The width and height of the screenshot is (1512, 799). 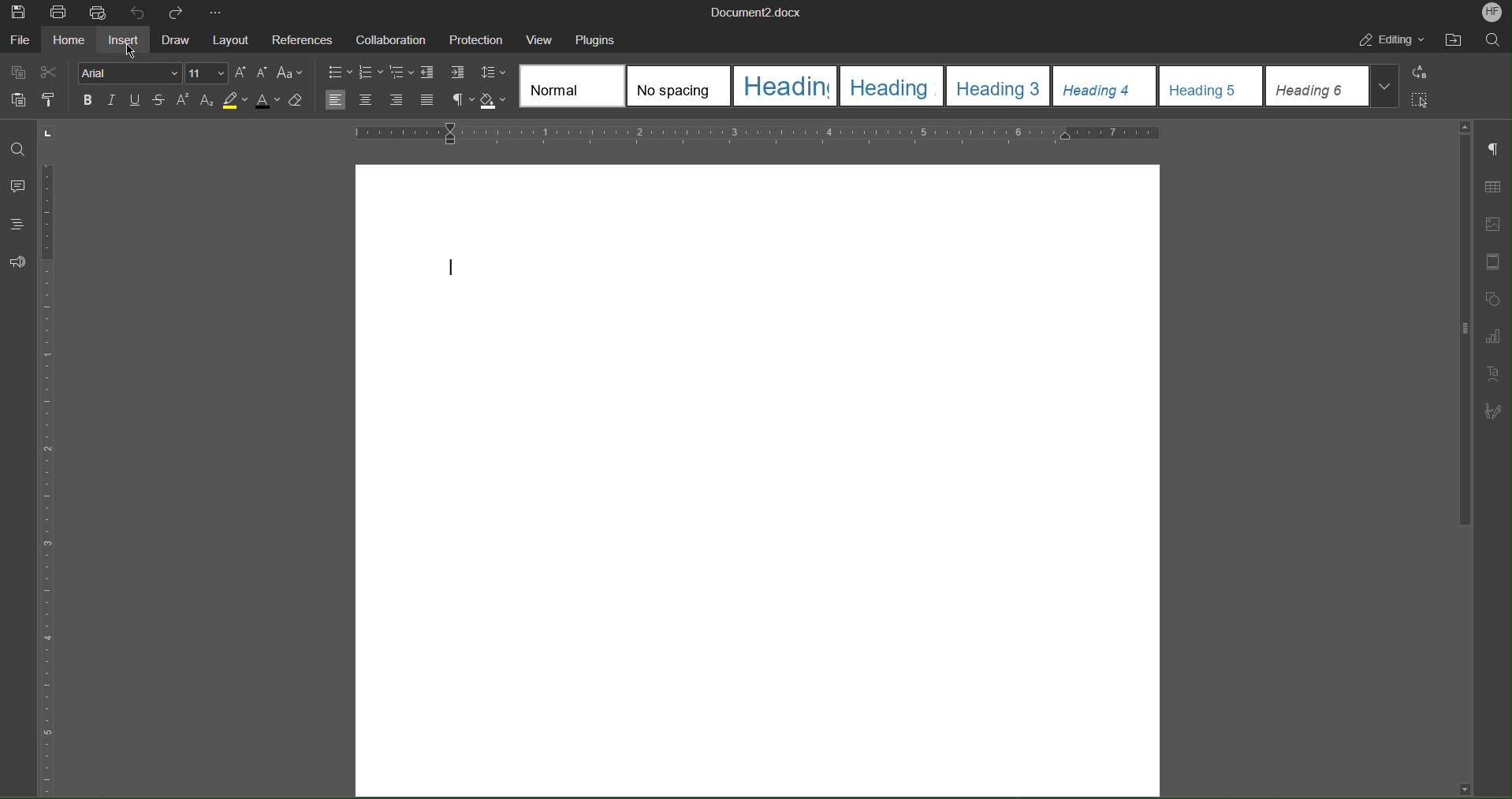 I want to click on Nested List, so click(x=397, y=101).